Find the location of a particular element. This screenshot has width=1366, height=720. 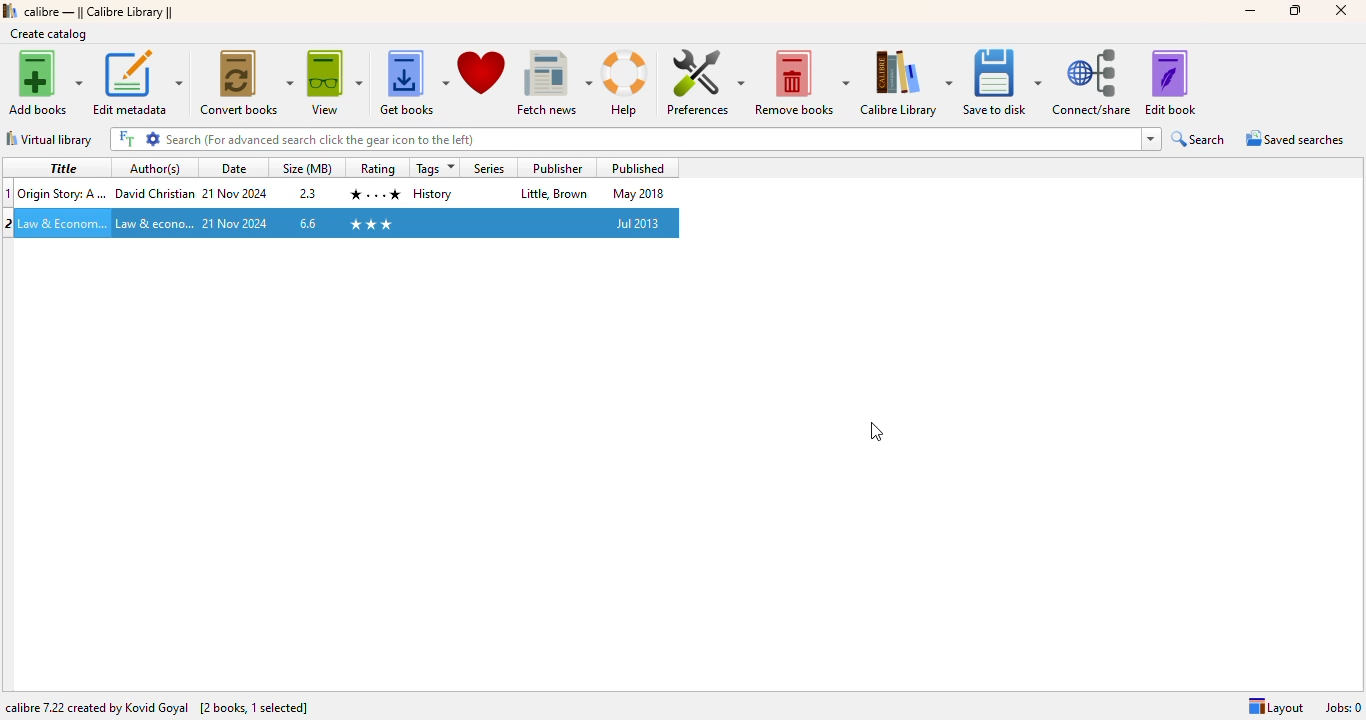

Author is located at coordinates (154, 191).